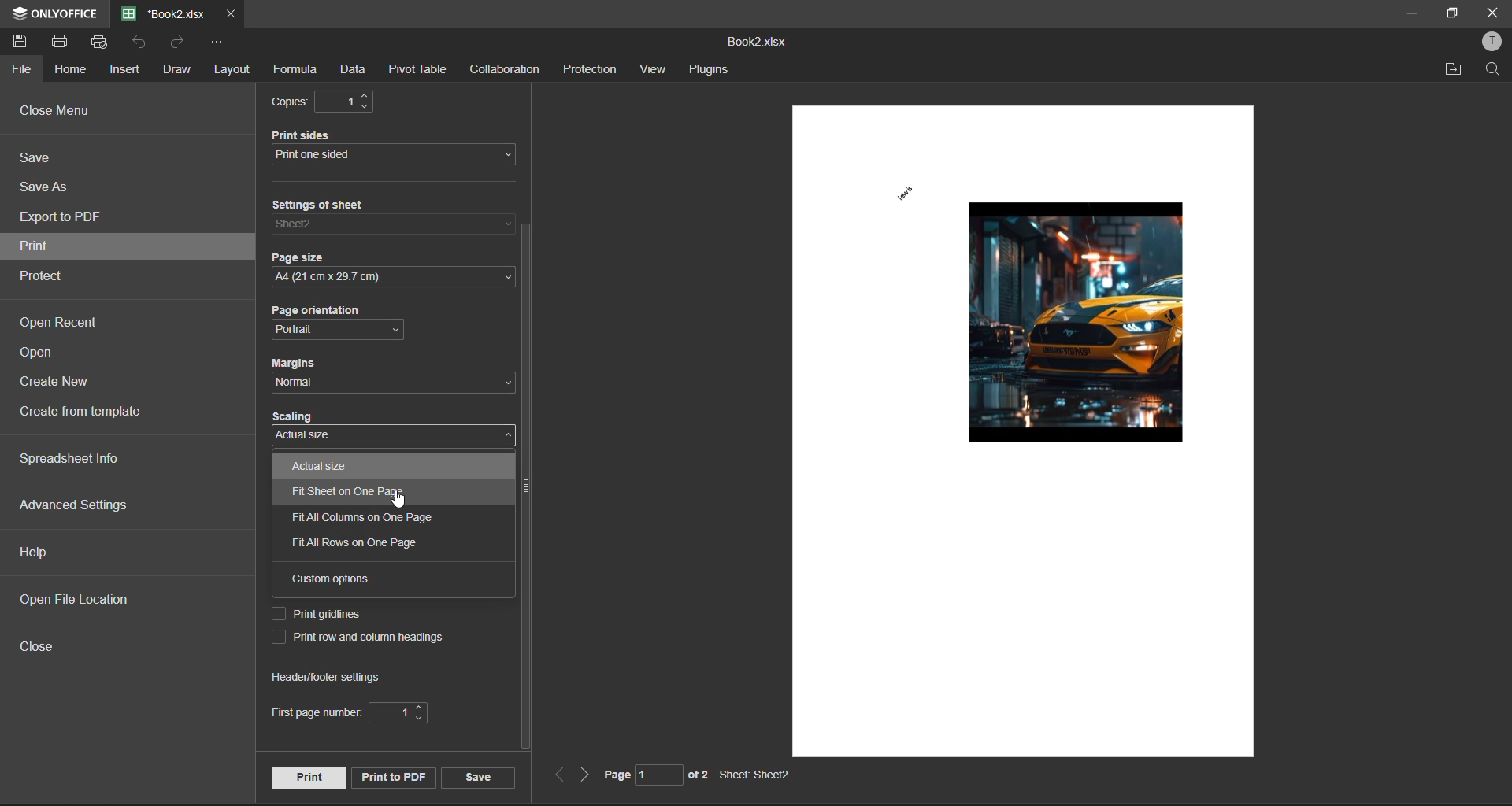 The image size is (1512, 806). What do you see at coordinates (505, 70) in the screenshot?
I see `collaboration` at bounding box center [505, 70].